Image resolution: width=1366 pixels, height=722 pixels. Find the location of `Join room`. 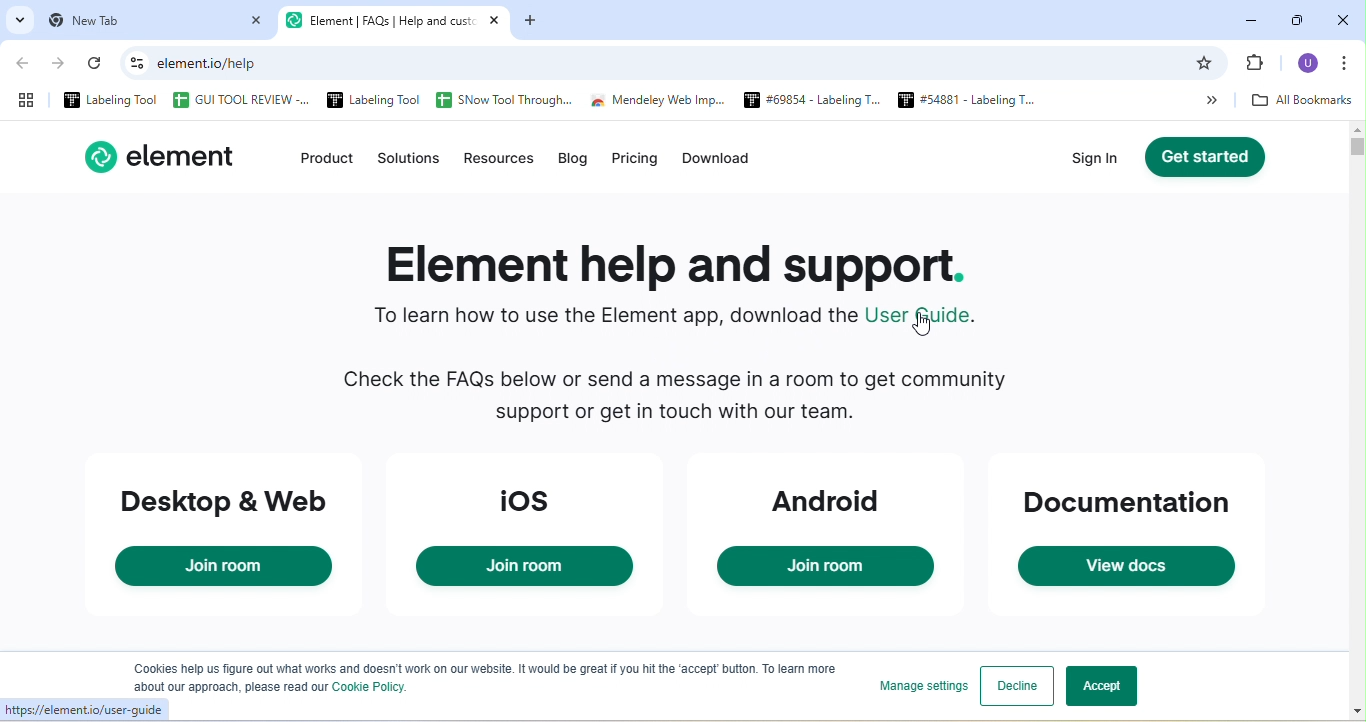

Join room is located at coordinates (815, 567).